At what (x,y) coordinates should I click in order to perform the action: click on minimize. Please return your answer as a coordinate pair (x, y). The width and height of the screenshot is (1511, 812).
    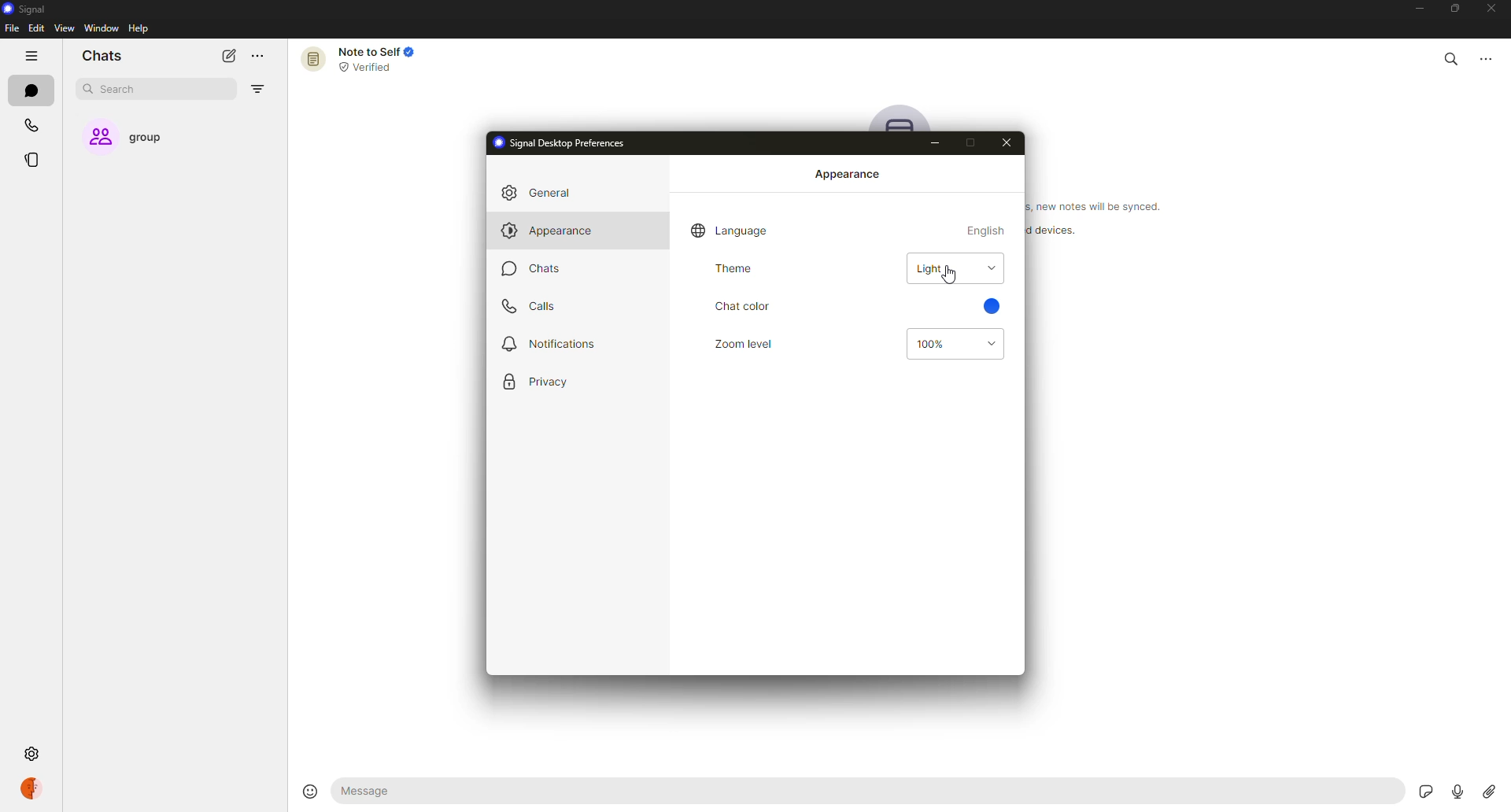
    Looking at the image, I should click on (1412, 10).